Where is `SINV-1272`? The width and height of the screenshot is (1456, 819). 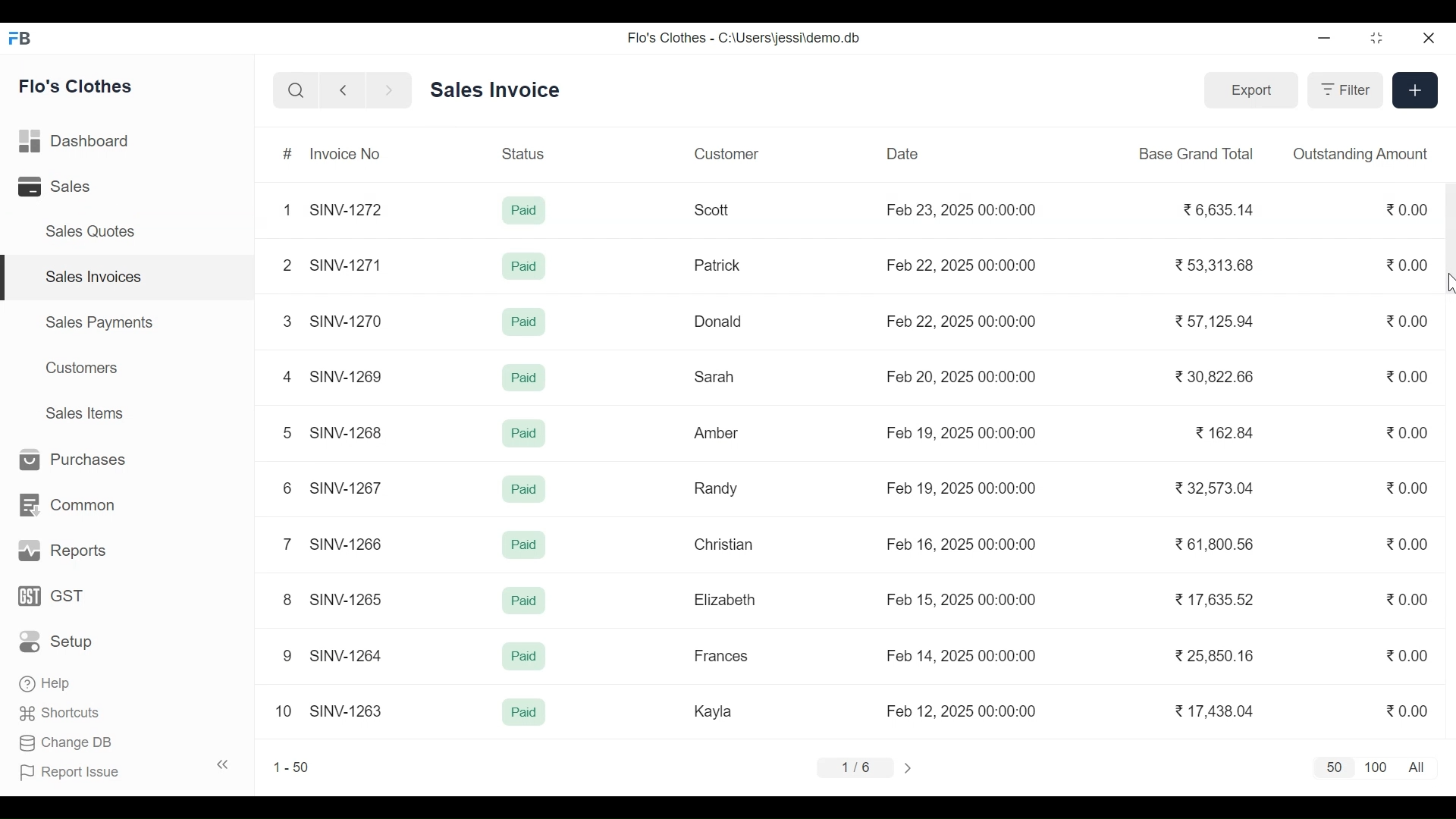 SINV-1272 is located at coordinates (350, 209).